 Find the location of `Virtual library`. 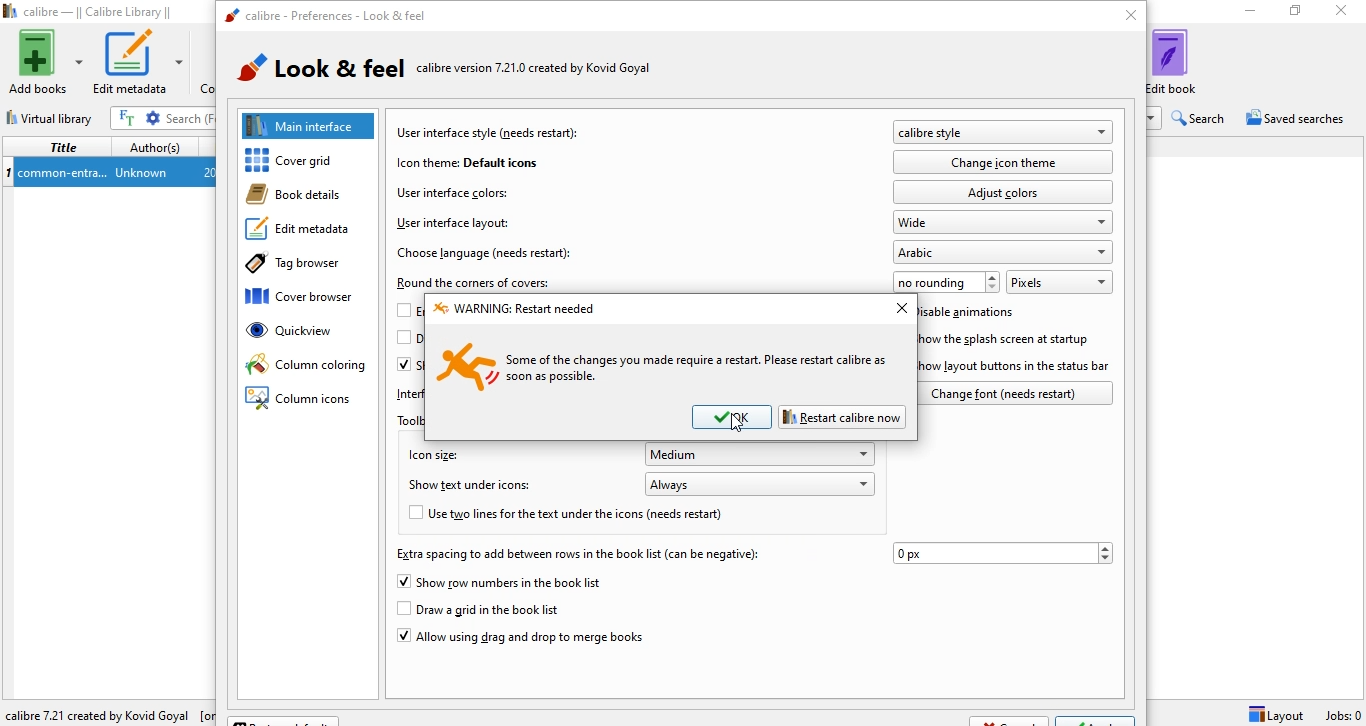

Virtual library is located at coordinates (52, 115).